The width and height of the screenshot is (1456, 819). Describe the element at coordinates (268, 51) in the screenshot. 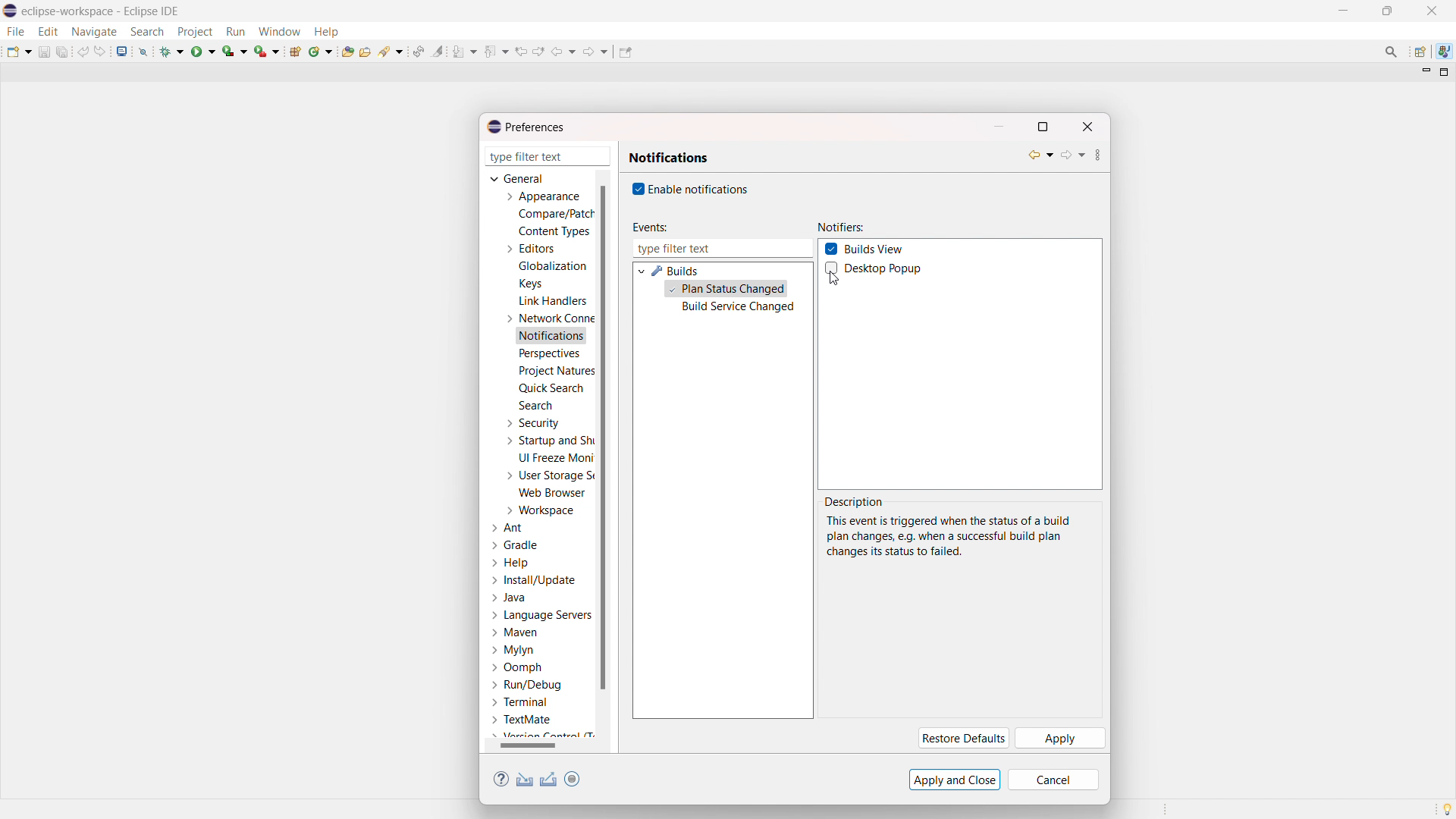

I see `run last tool` at that location.